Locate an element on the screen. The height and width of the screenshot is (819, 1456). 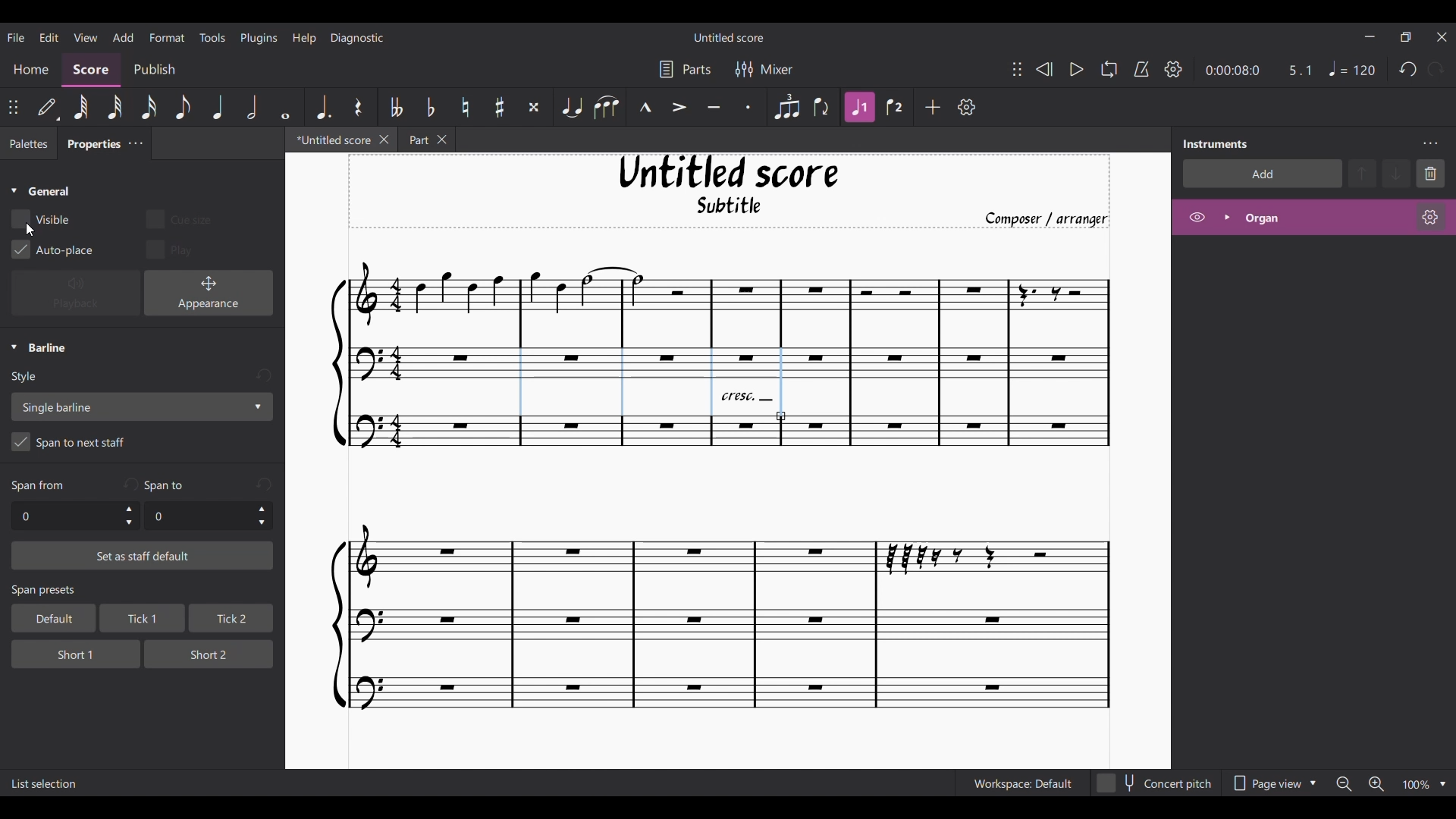
Score title is located at coordinates (728, 37).